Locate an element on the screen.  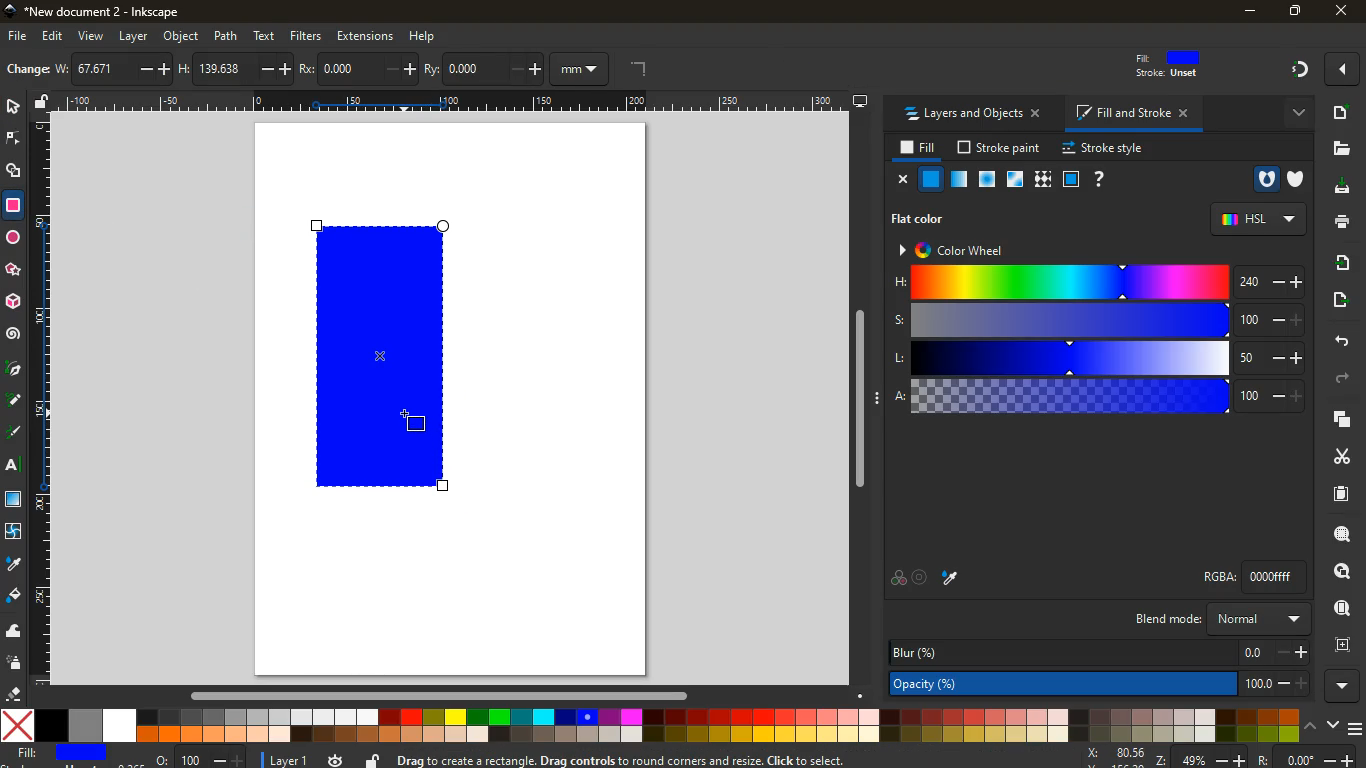
 is located at coordinates (857, 399).